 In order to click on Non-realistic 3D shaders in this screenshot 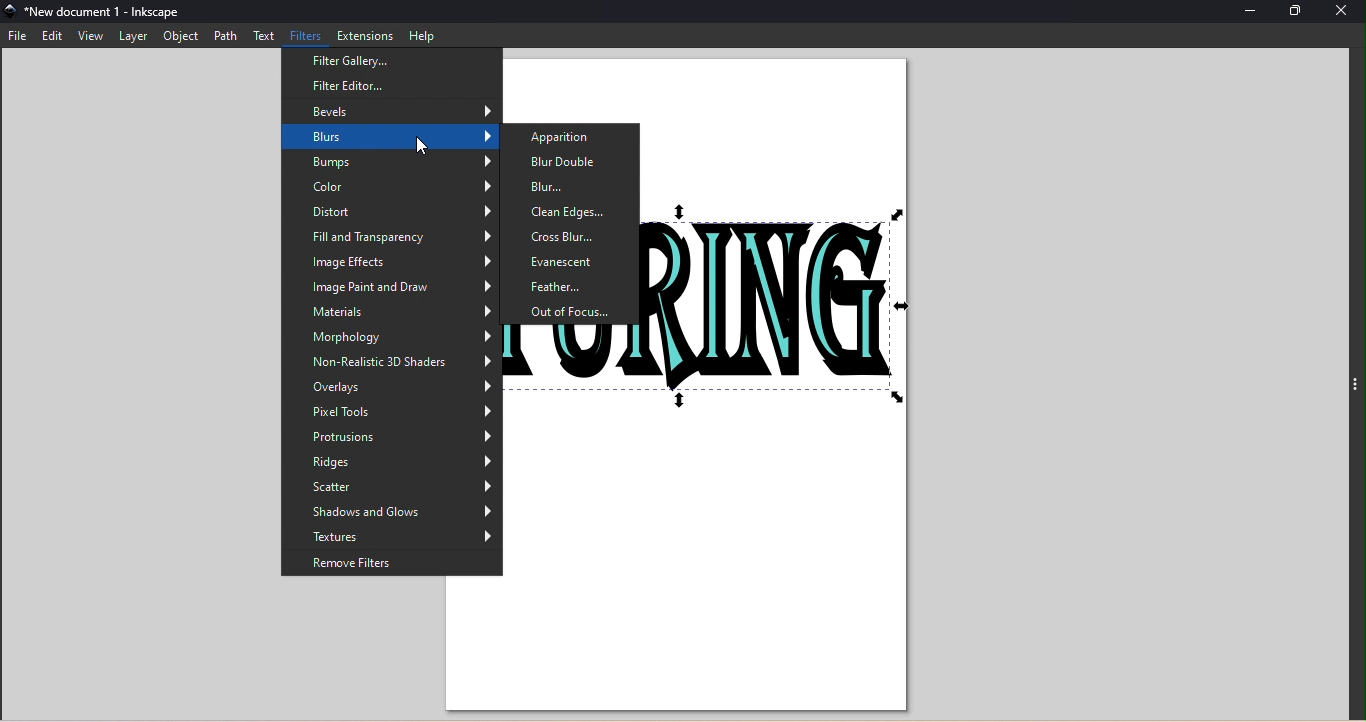, I will do `click(393, 365)`.